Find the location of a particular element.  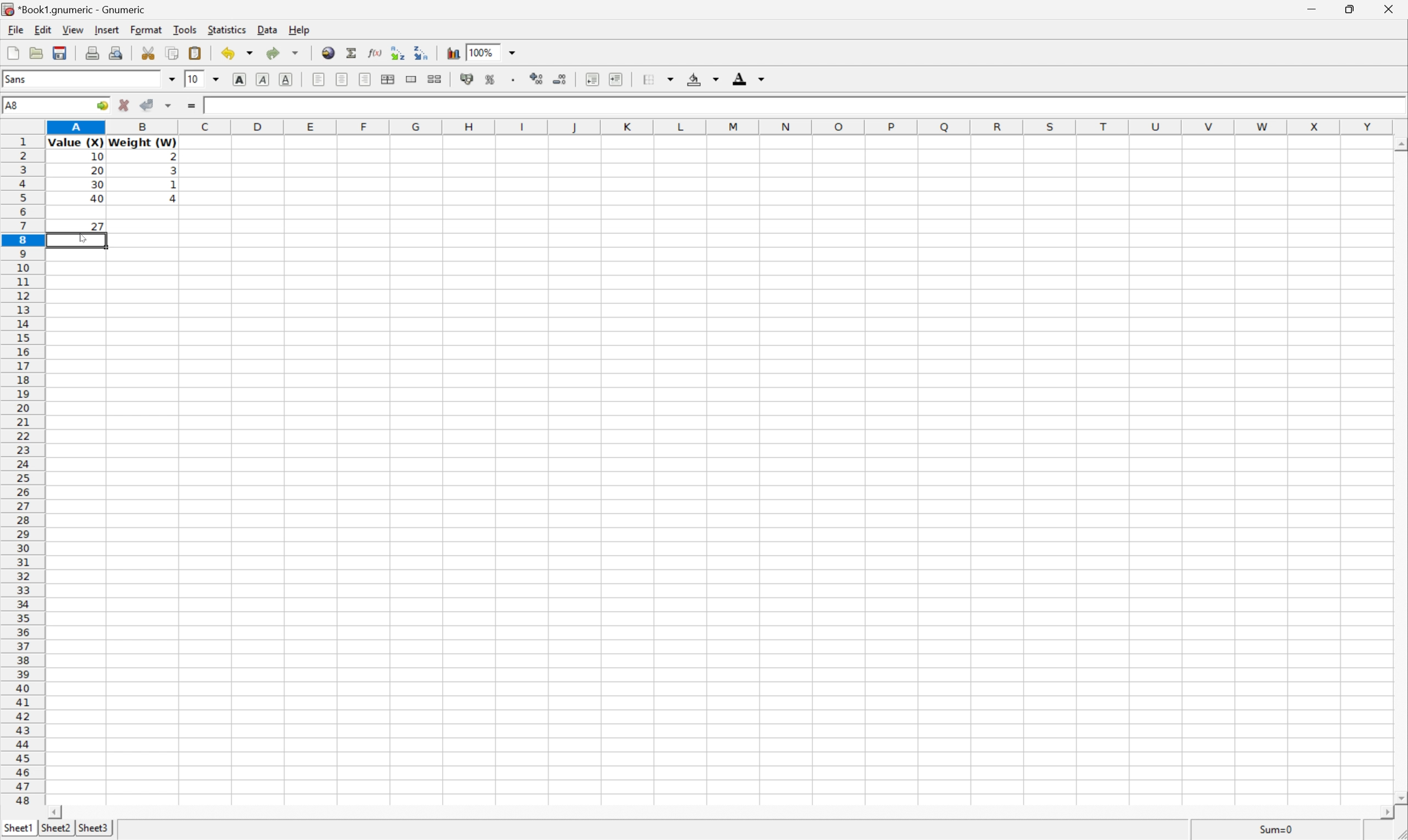

Set the format of the selected cells to include a thousands separator is located at coordinates (512, 80).